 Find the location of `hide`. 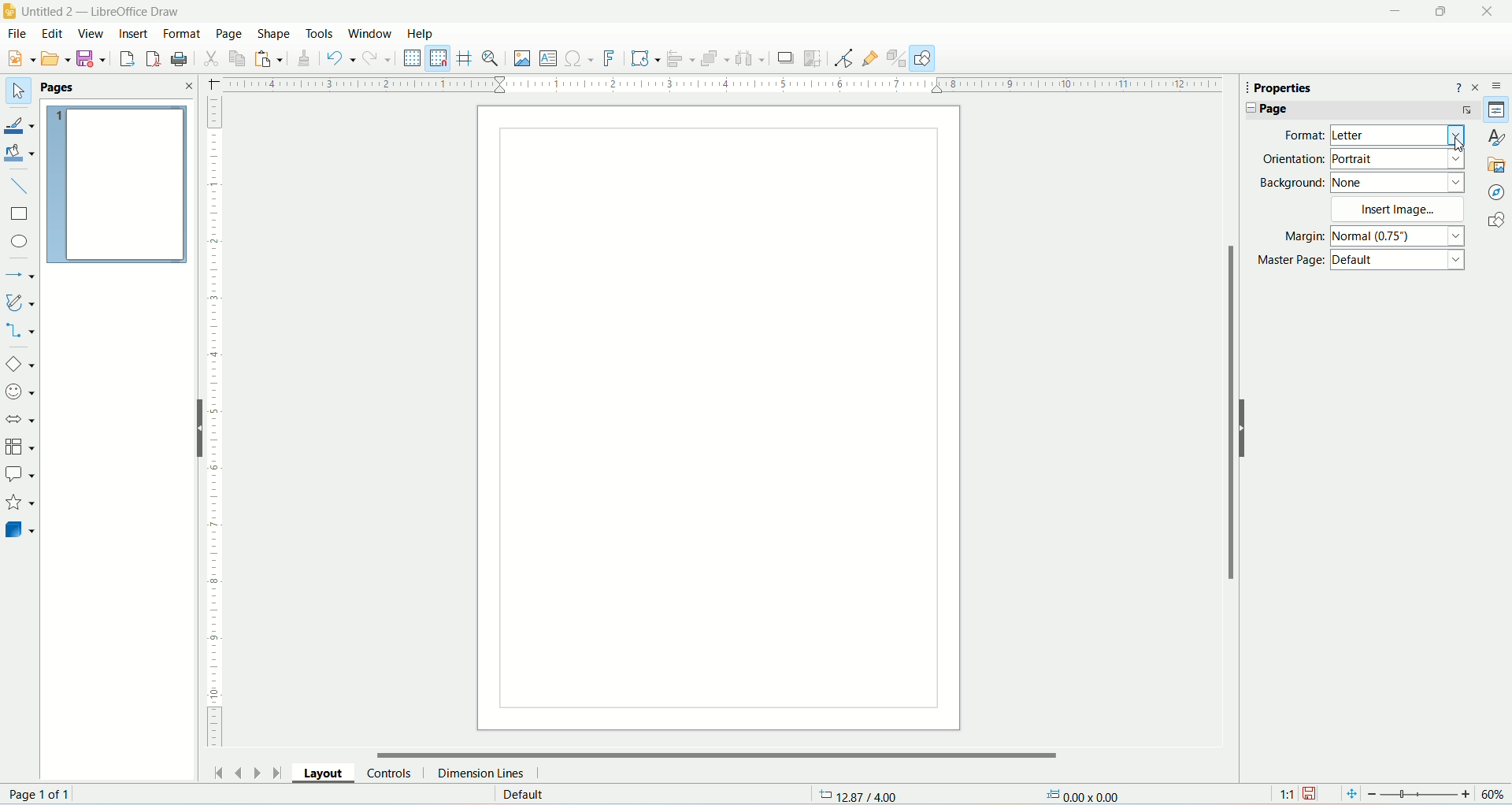

hide is located at coordinates (197, 427).